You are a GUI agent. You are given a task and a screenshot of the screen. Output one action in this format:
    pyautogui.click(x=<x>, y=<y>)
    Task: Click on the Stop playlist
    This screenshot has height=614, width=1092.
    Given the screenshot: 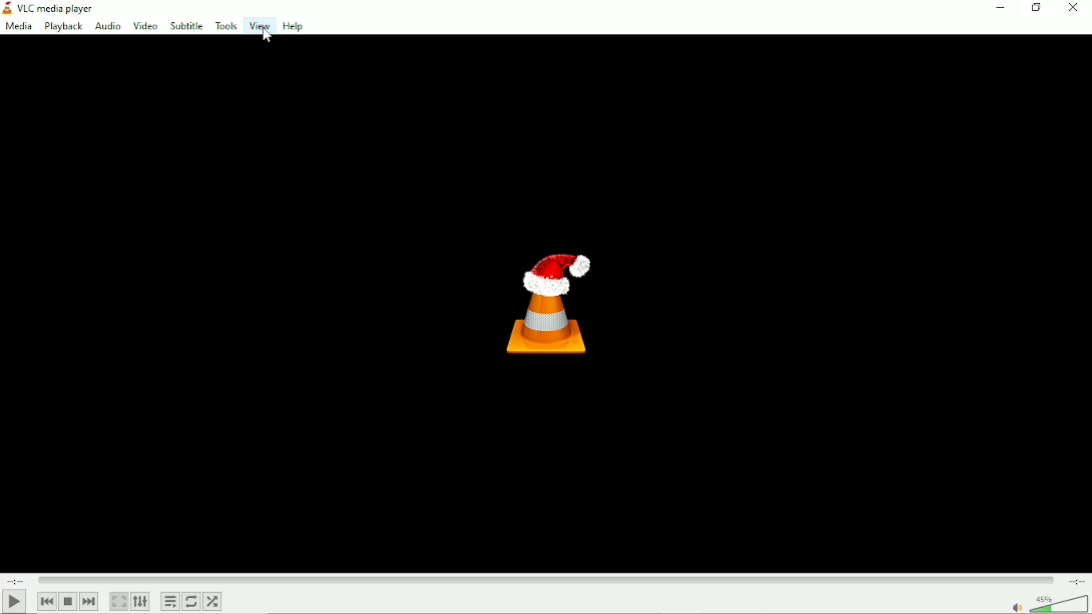 What is the action you would take?
    pyautogui.click(x=67, y=602)
    